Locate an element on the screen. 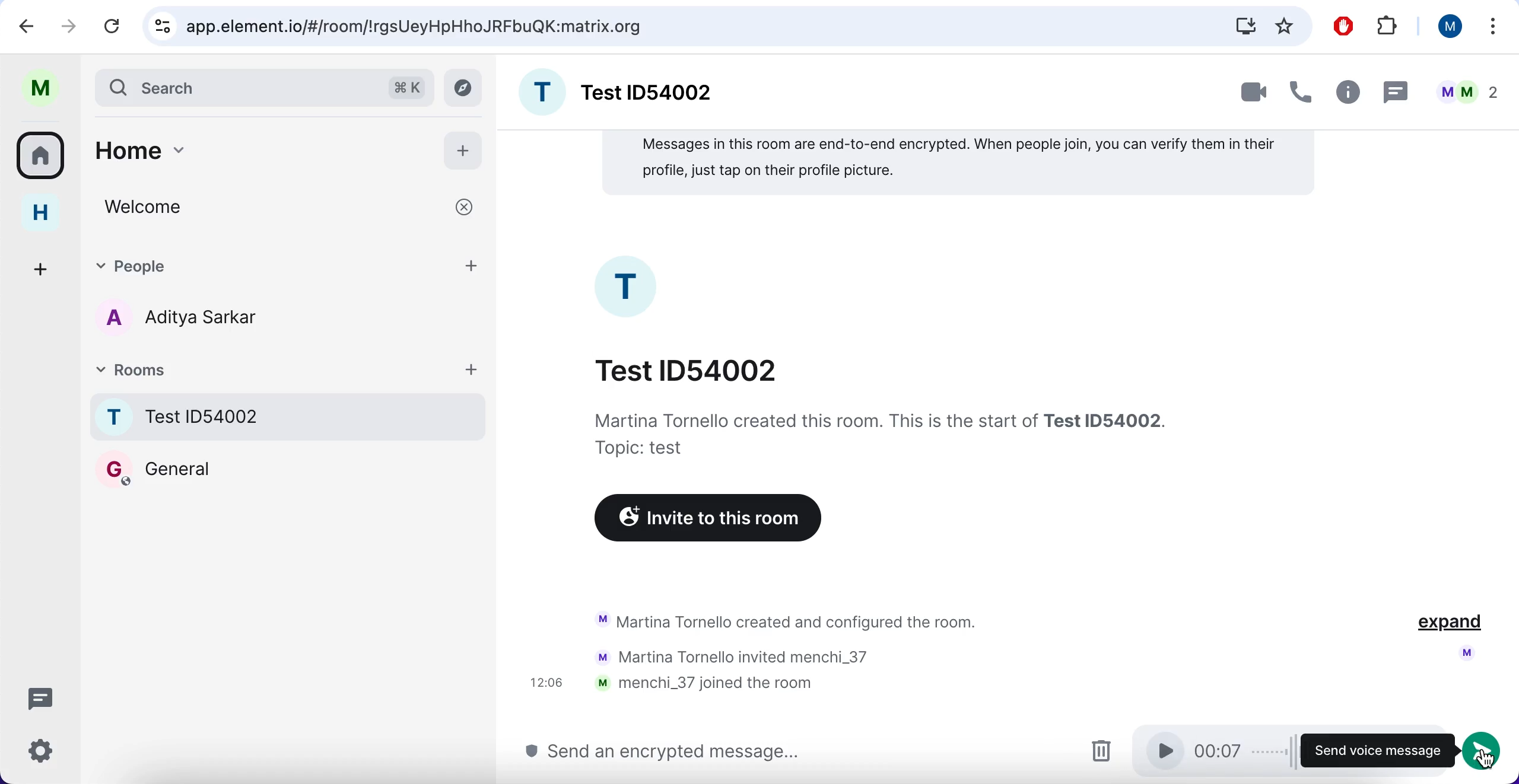 This screenshot has height=784, width=1519. information is located at coordinates (879, 434).